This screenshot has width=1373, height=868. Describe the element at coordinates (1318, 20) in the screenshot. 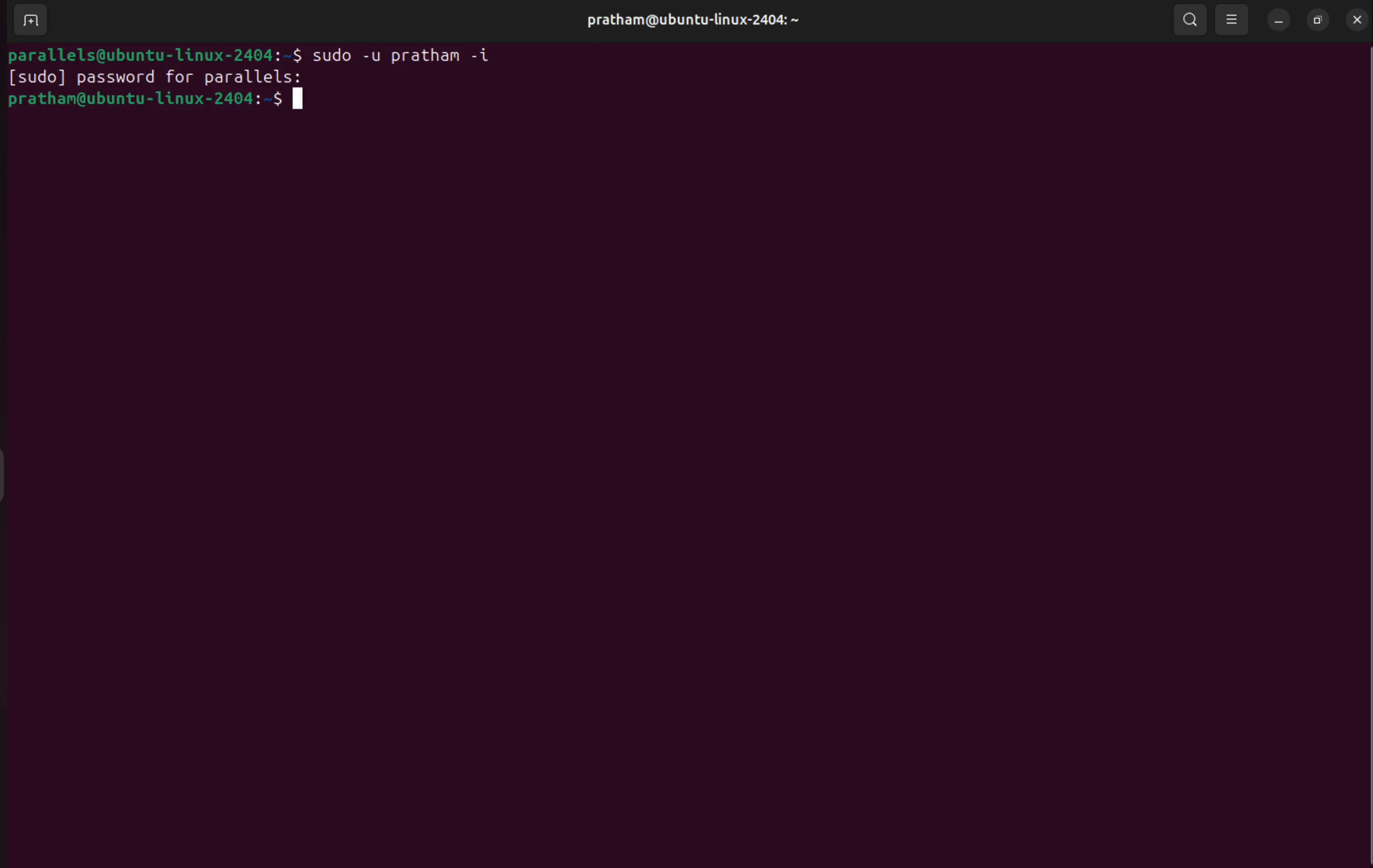

I see `resize` at that location.